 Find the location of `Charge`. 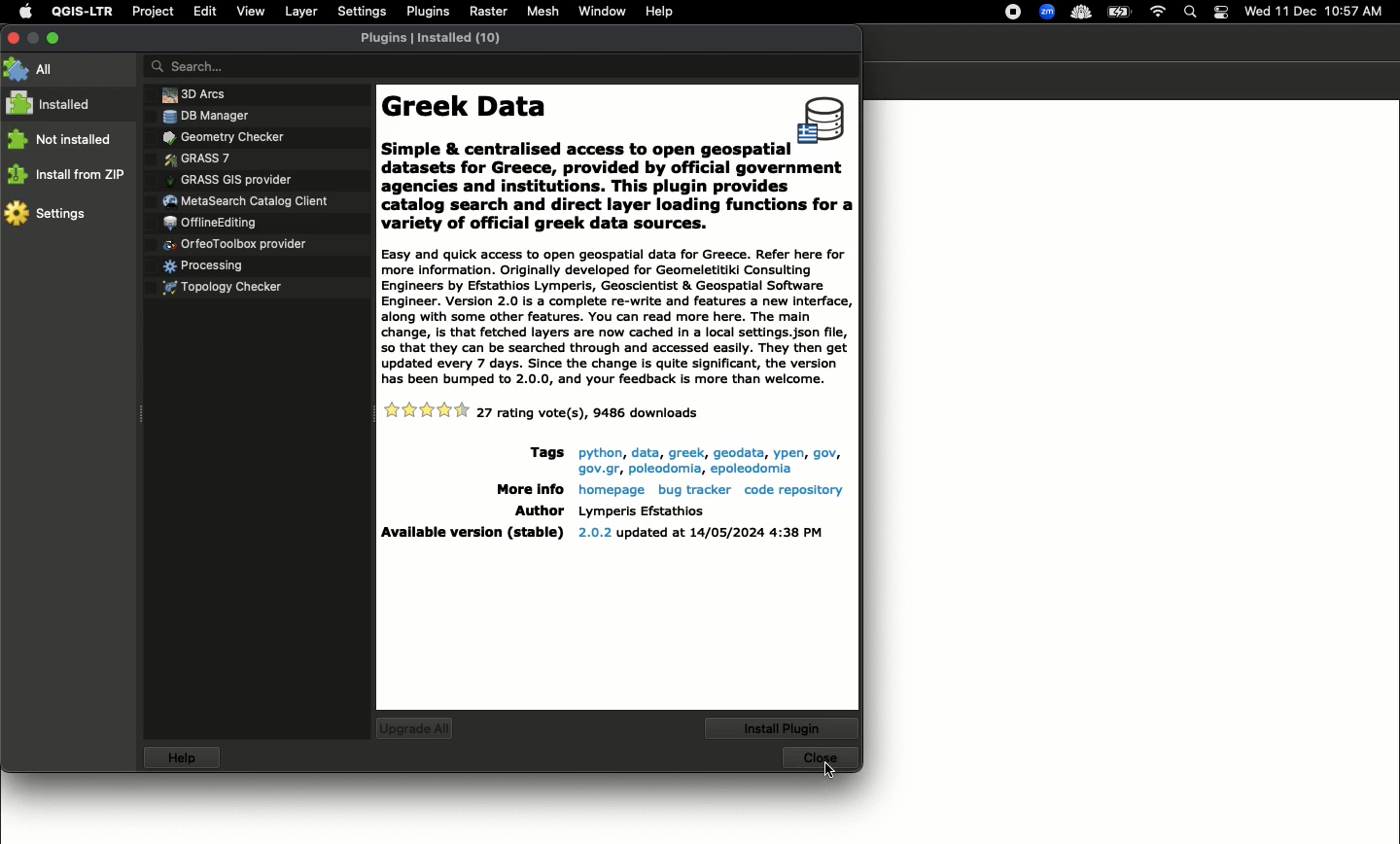

Charge is located at coordinates (1124, 12).